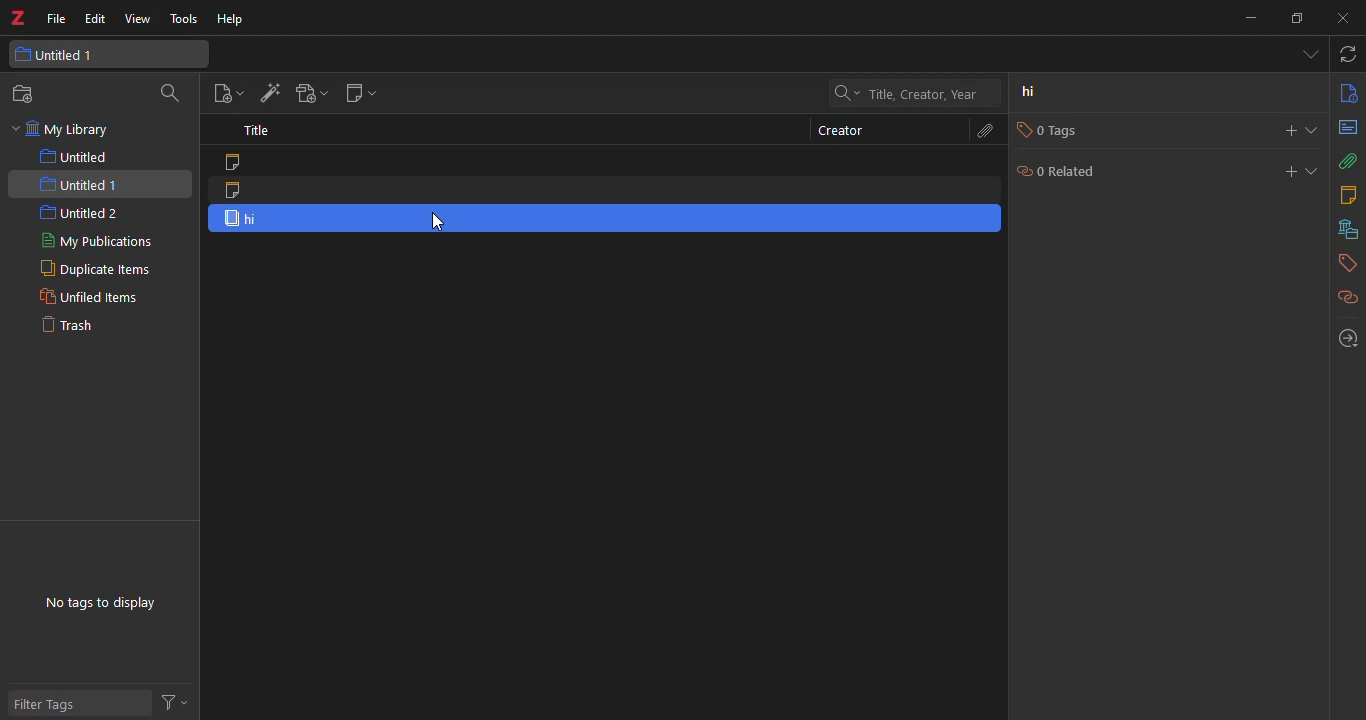  Describe the element at coordinates (1347, 17) in the screenshot. I see `close` at that location.